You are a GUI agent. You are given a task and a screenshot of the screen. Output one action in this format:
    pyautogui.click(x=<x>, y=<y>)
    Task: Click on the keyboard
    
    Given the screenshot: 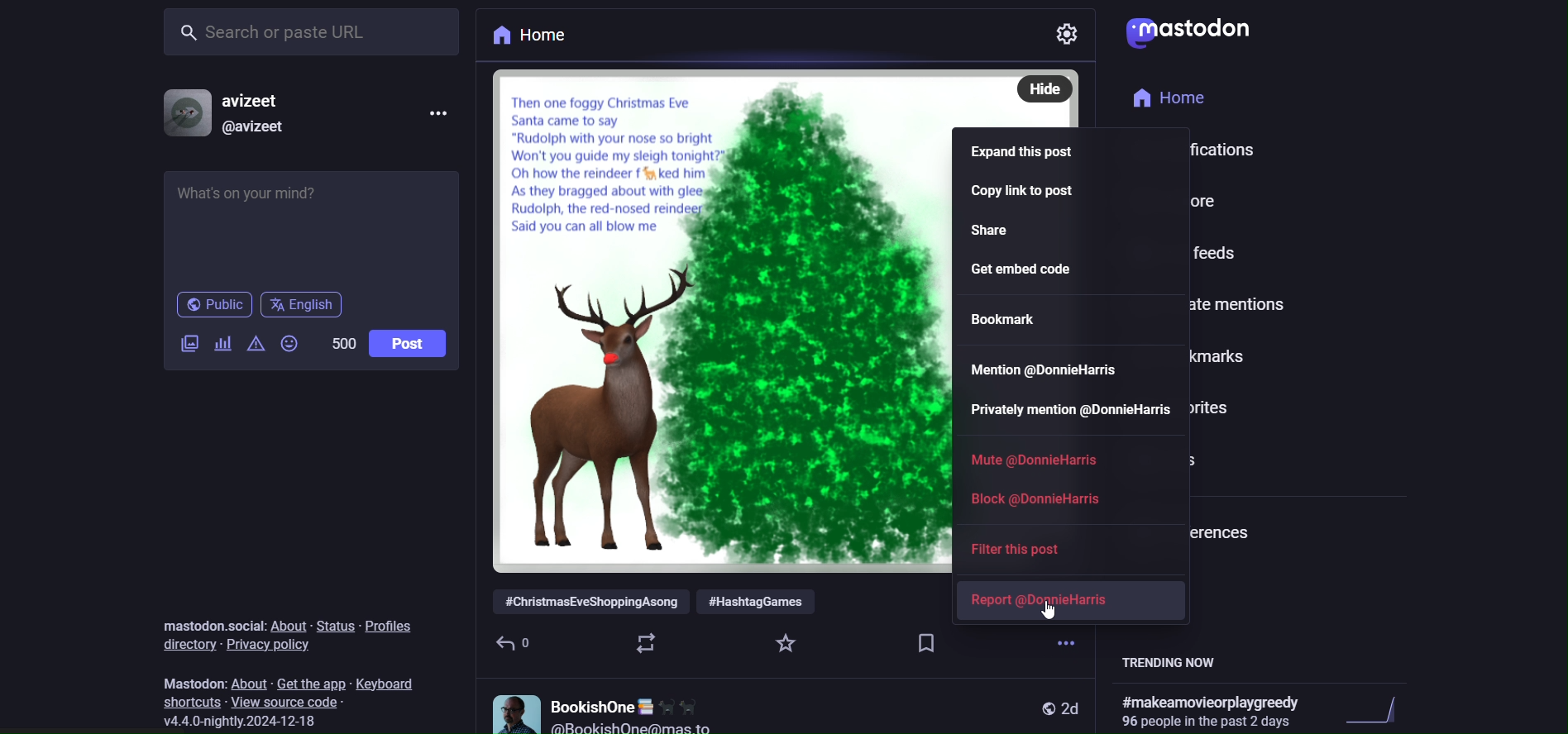 What is the action you would take?
    pyautogui.click(x=391, y=685)
    